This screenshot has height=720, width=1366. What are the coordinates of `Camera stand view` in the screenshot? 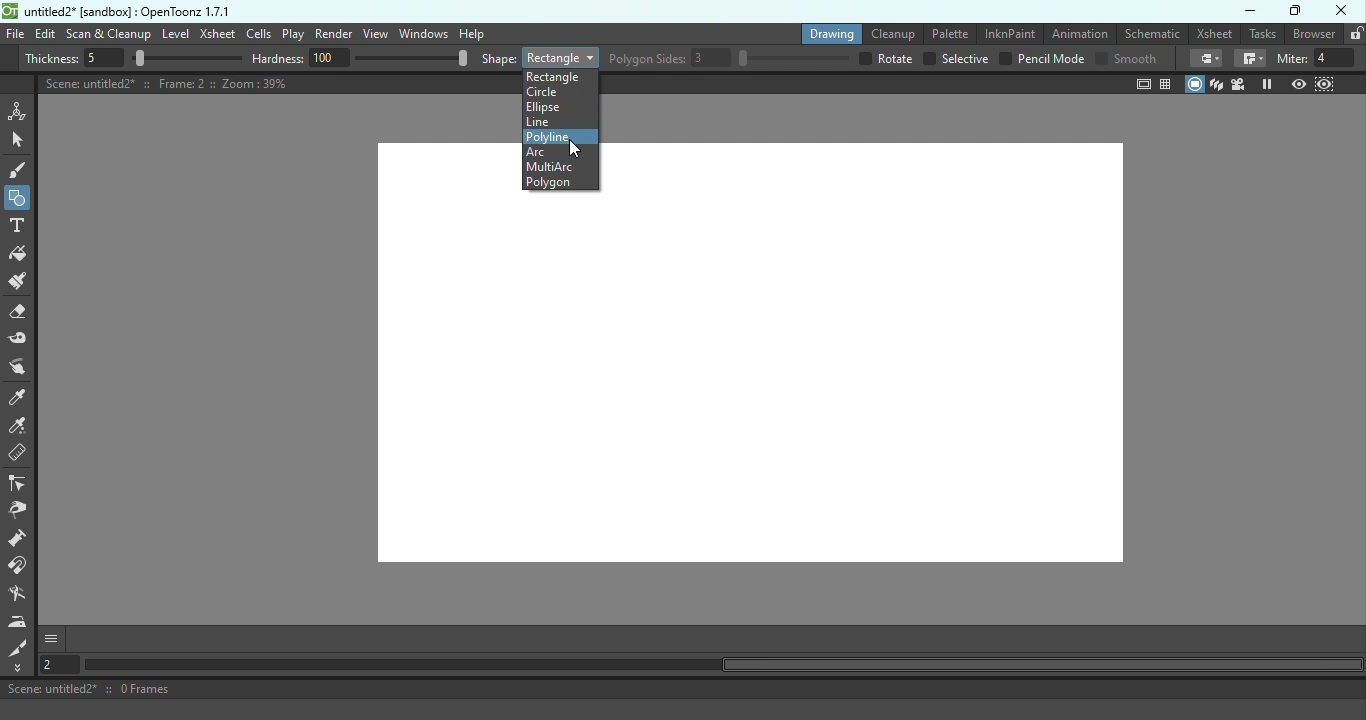 It's located at (1195, 85).